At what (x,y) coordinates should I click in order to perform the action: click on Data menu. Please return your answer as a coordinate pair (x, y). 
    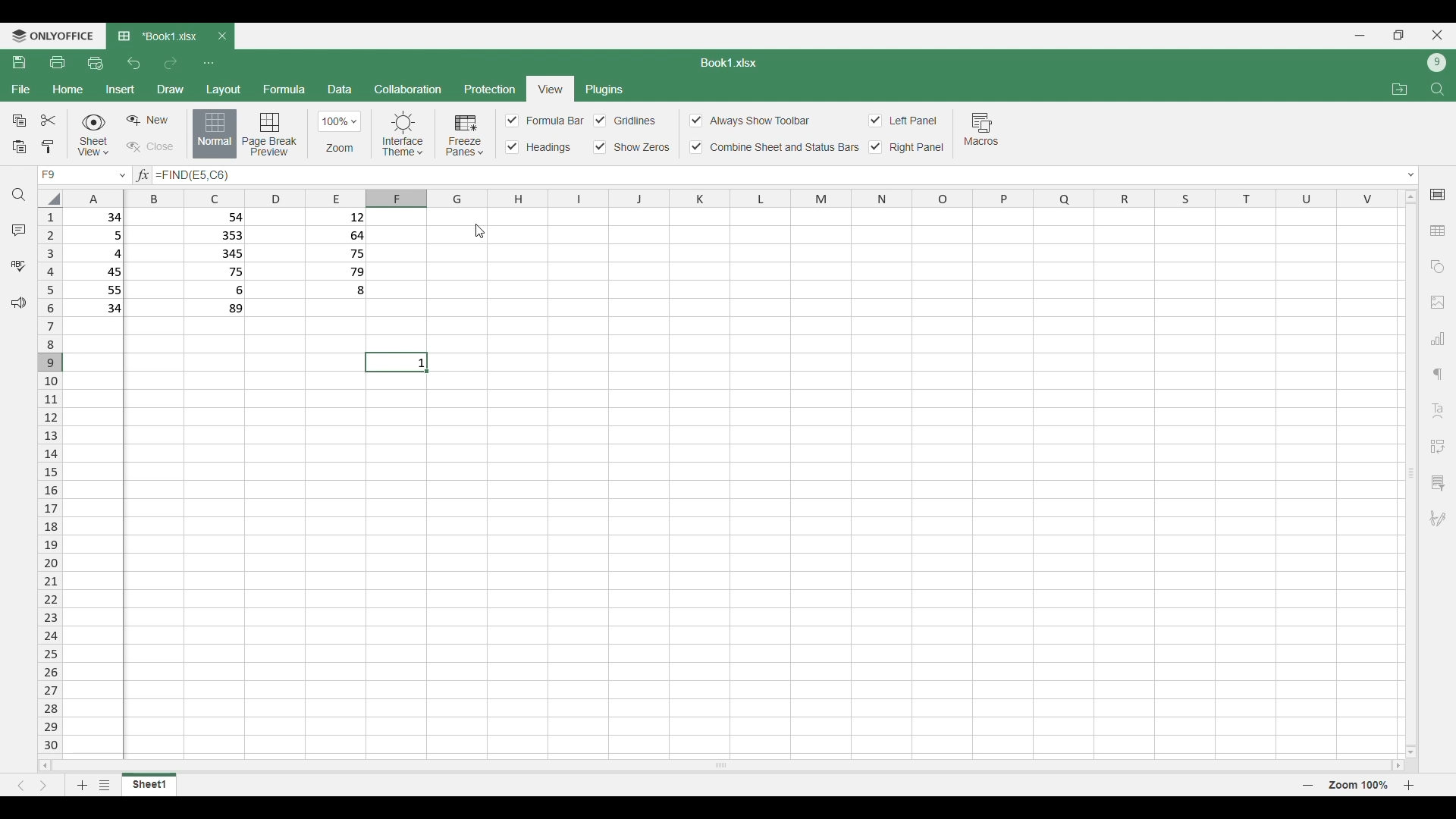
    Looking at the image, I should click on (340, 89).